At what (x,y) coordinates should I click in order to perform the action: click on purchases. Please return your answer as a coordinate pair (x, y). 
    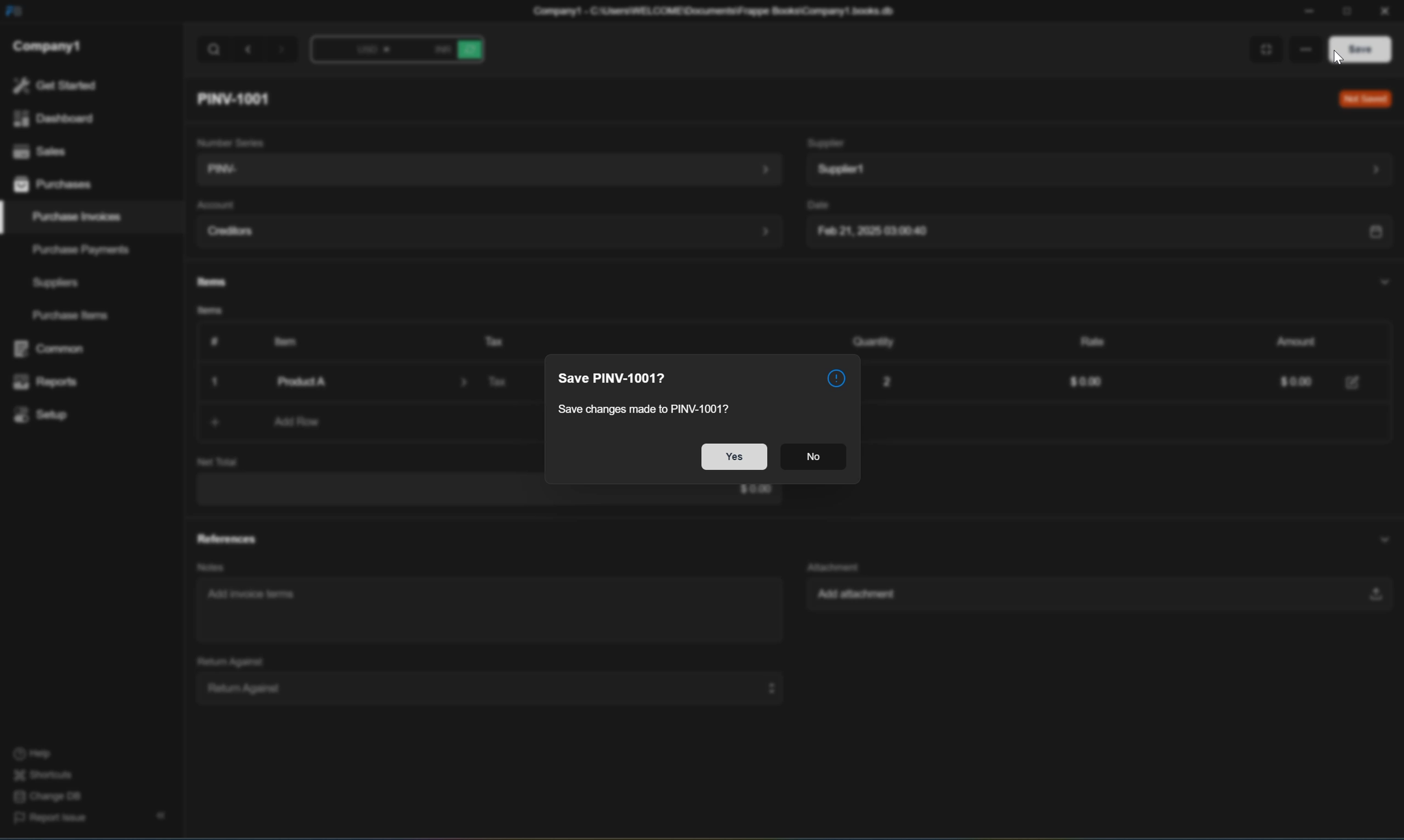
    Looking at the image, I should click on (54, 186).